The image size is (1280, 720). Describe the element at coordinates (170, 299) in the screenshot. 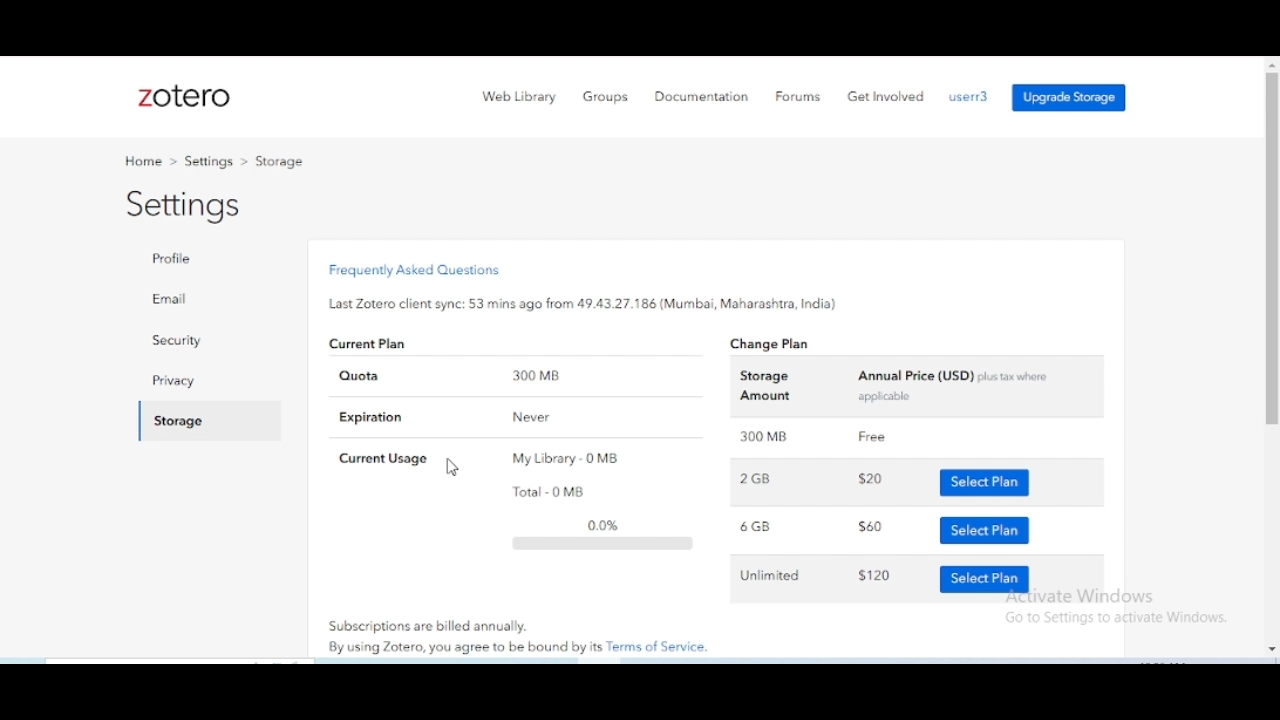

I see `email` at that location.